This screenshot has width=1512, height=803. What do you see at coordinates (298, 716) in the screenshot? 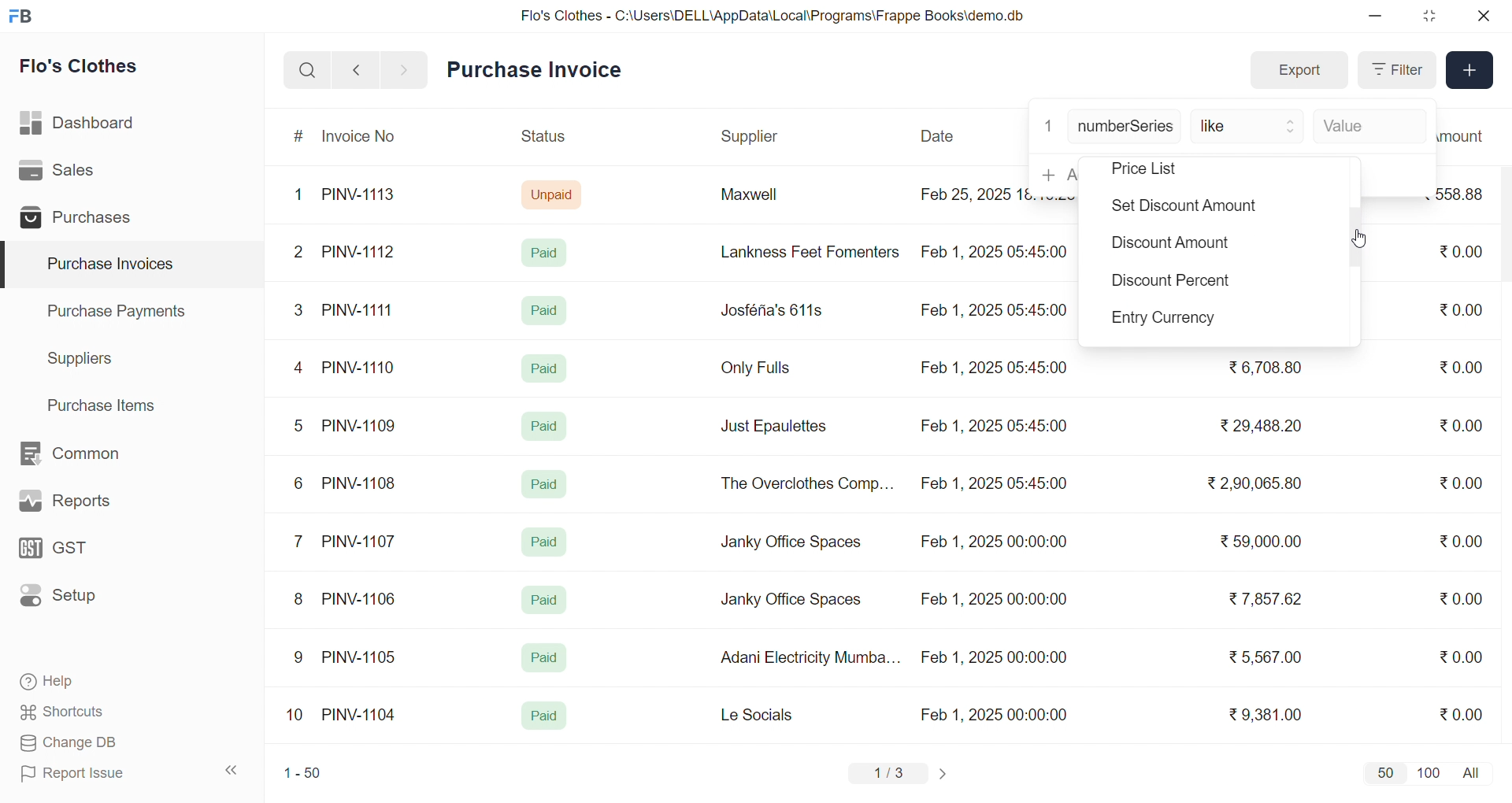
I see `10` at bounding box center [298, 716].